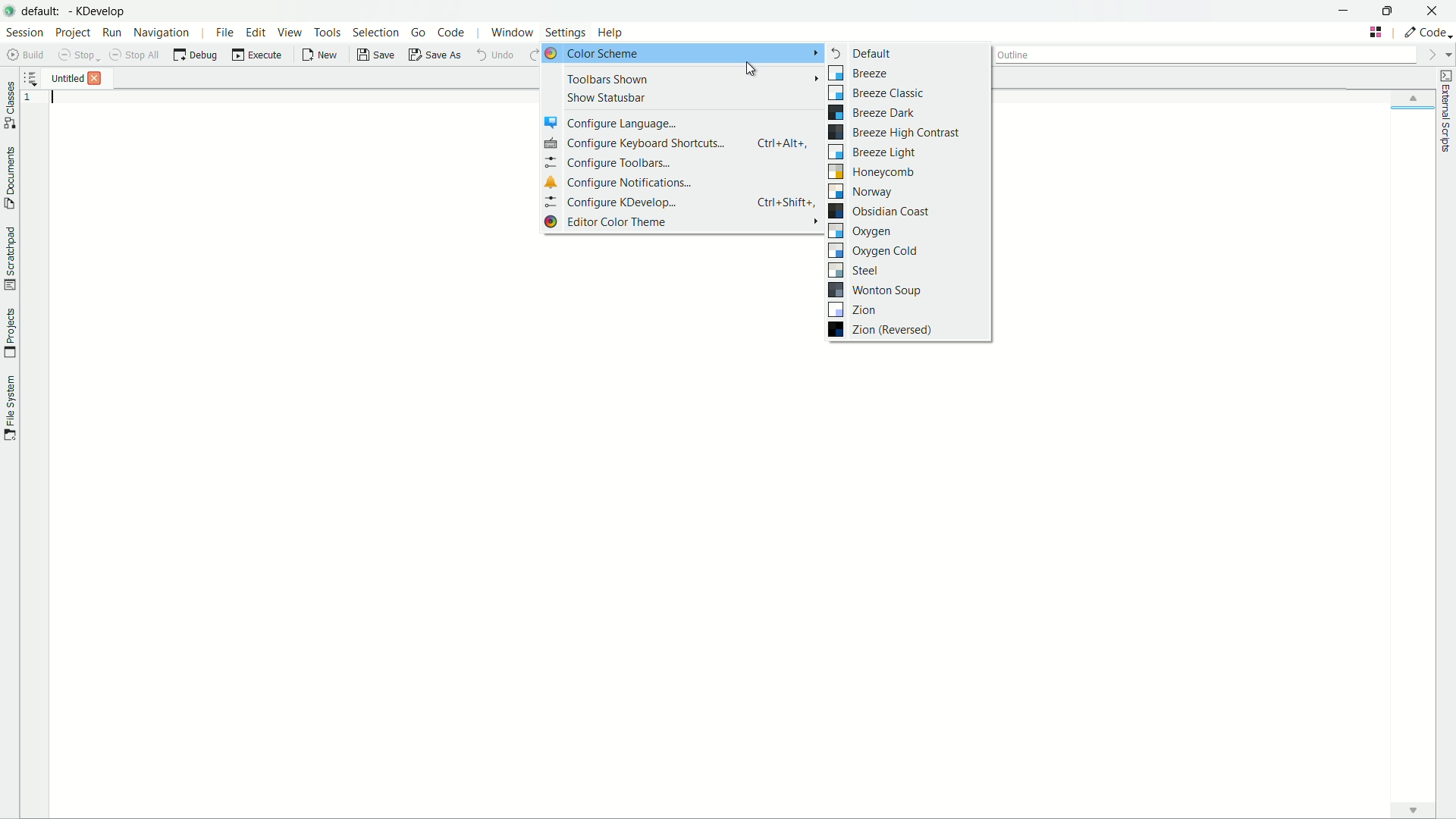 This screenshot has width=1456, height=819. I want to click on stop  all, so click(134, 55).